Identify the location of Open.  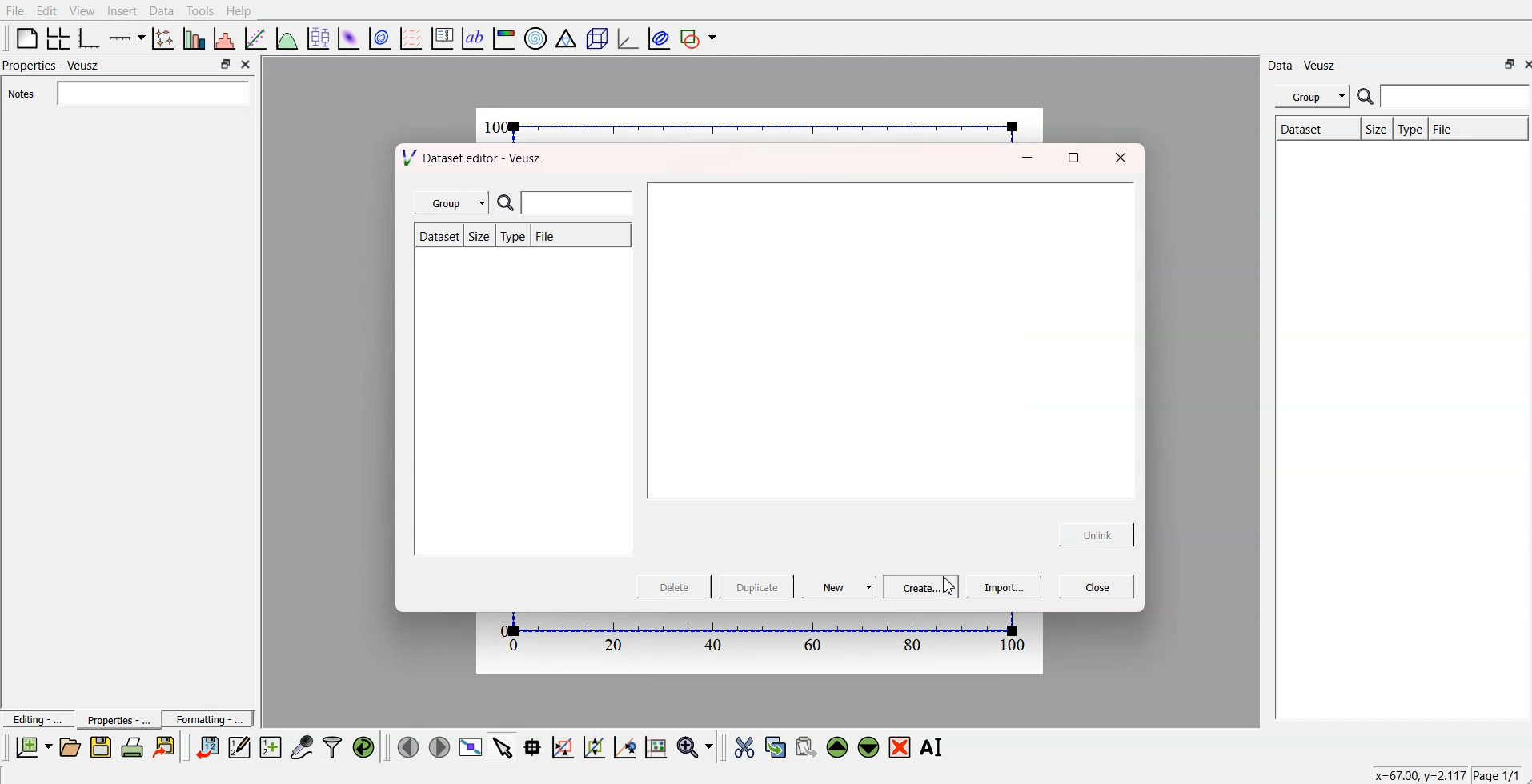
(70, 746).